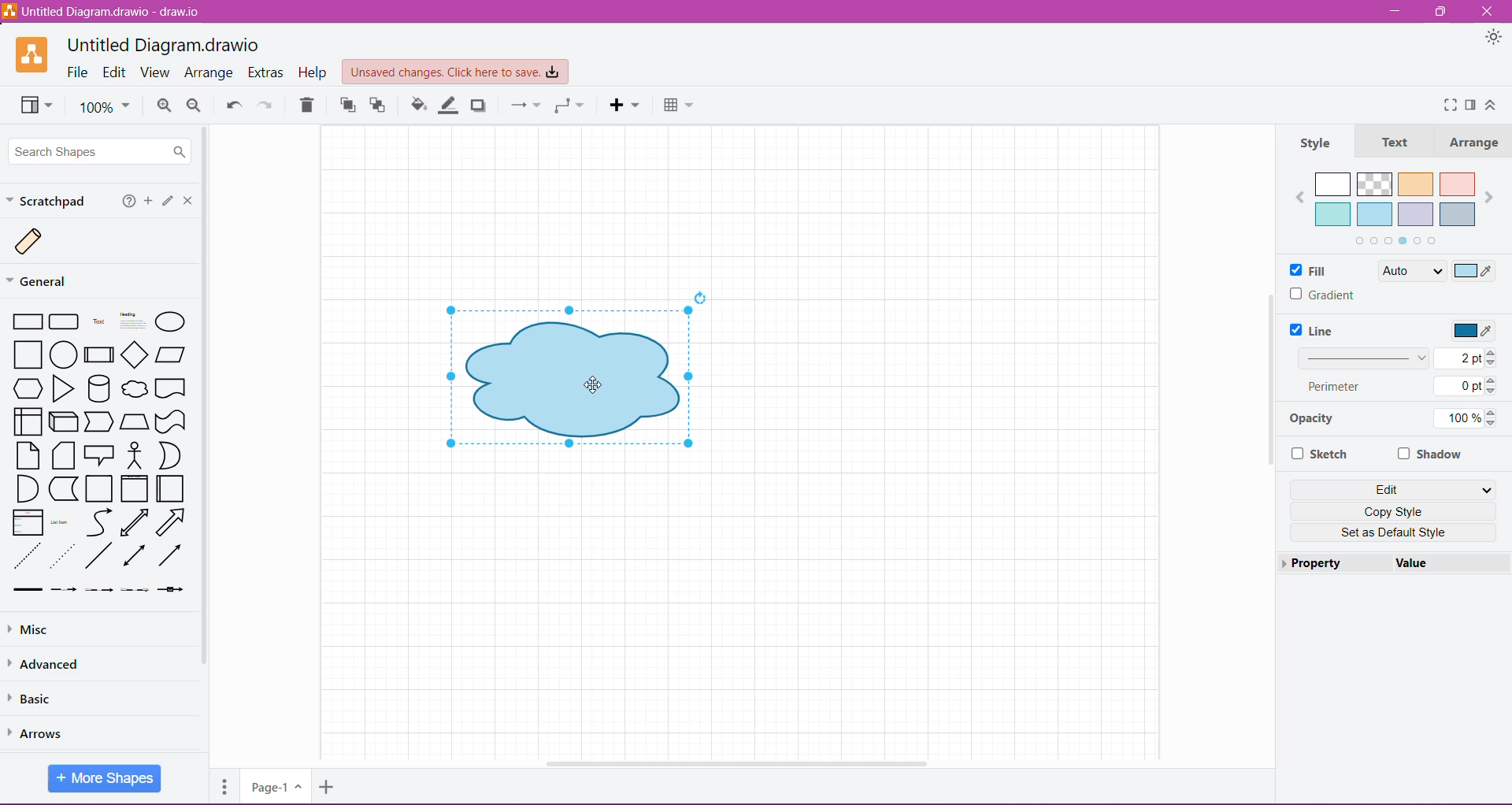 The height and width of the screenshot is (805, 1512). I want to click on Arrange, so click(1477, 143).